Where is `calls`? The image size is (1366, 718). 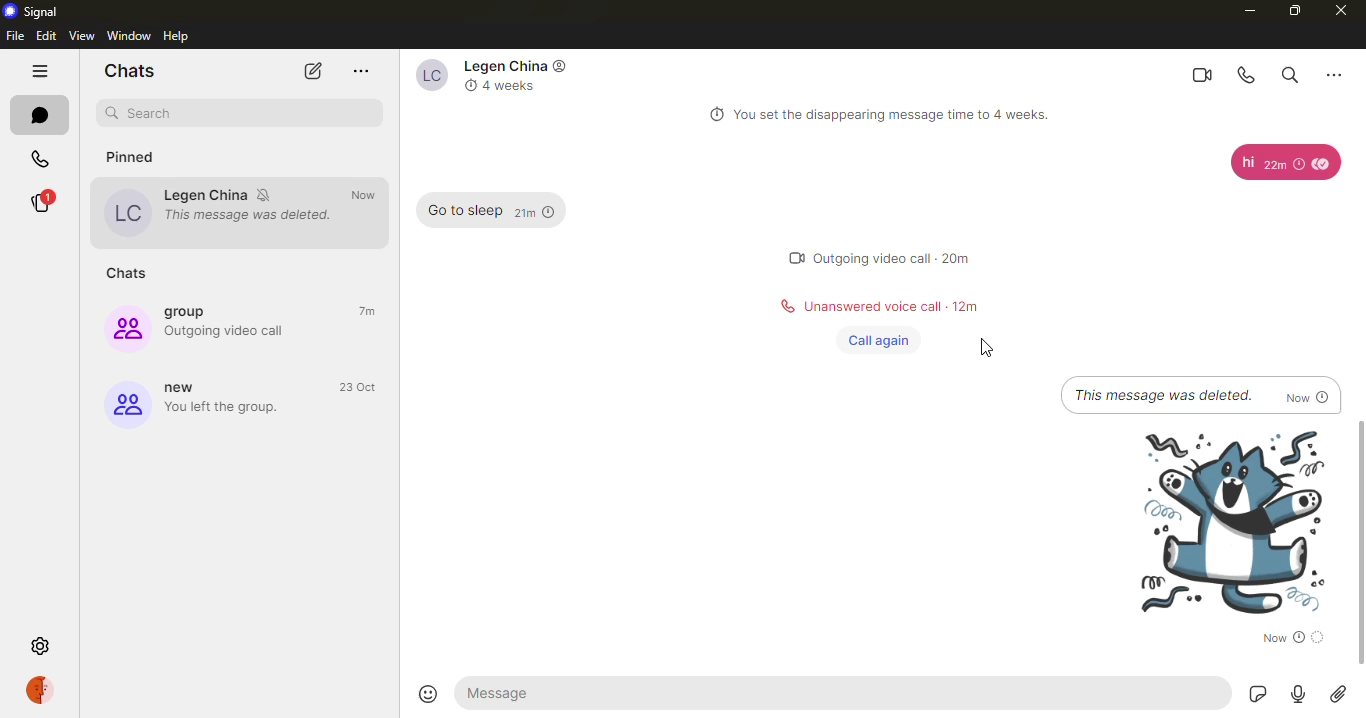
calls is located at coordinates (37, 159).